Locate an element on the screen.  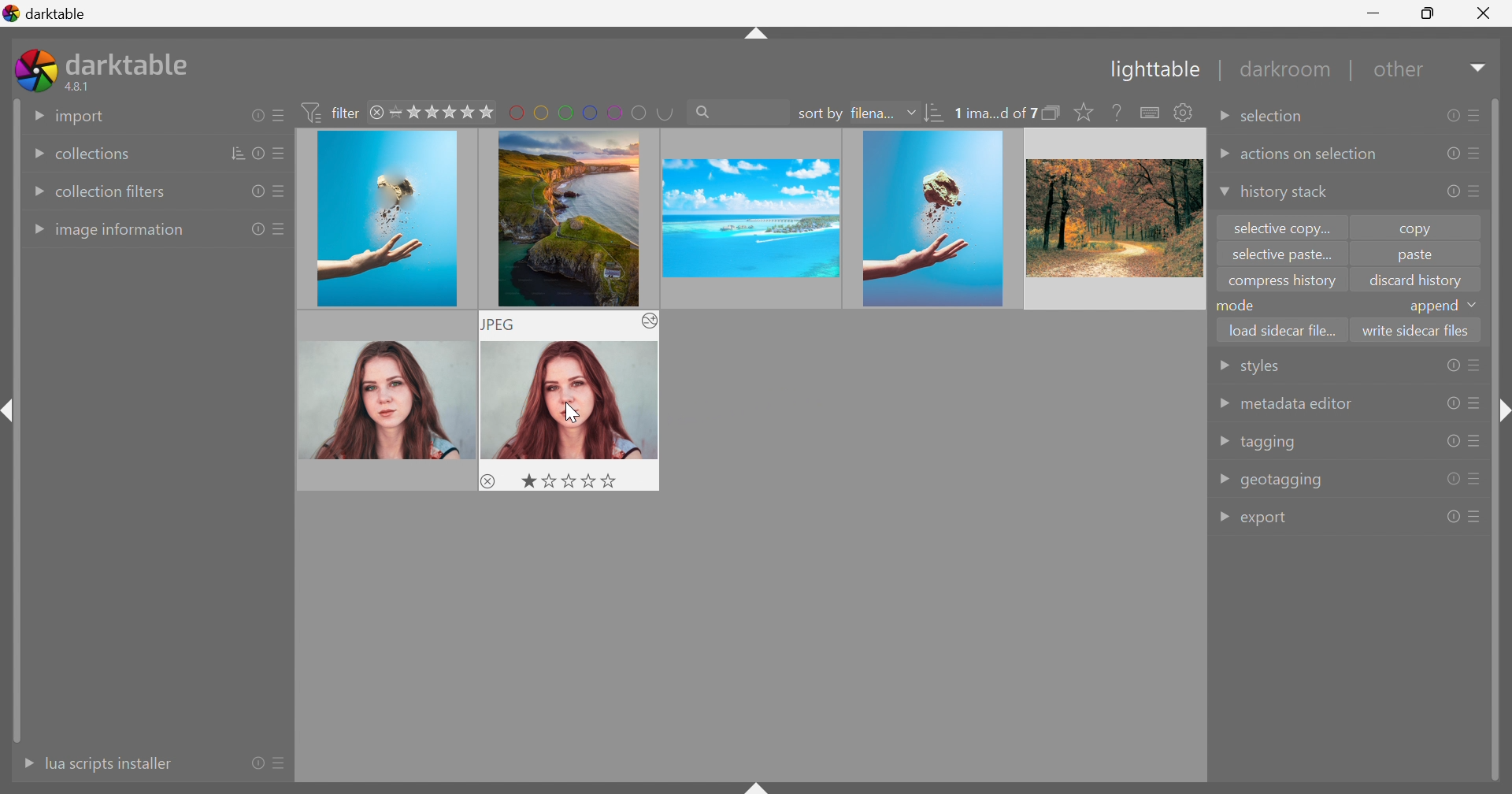
Drop Down is located at coordinates (1223, 518).